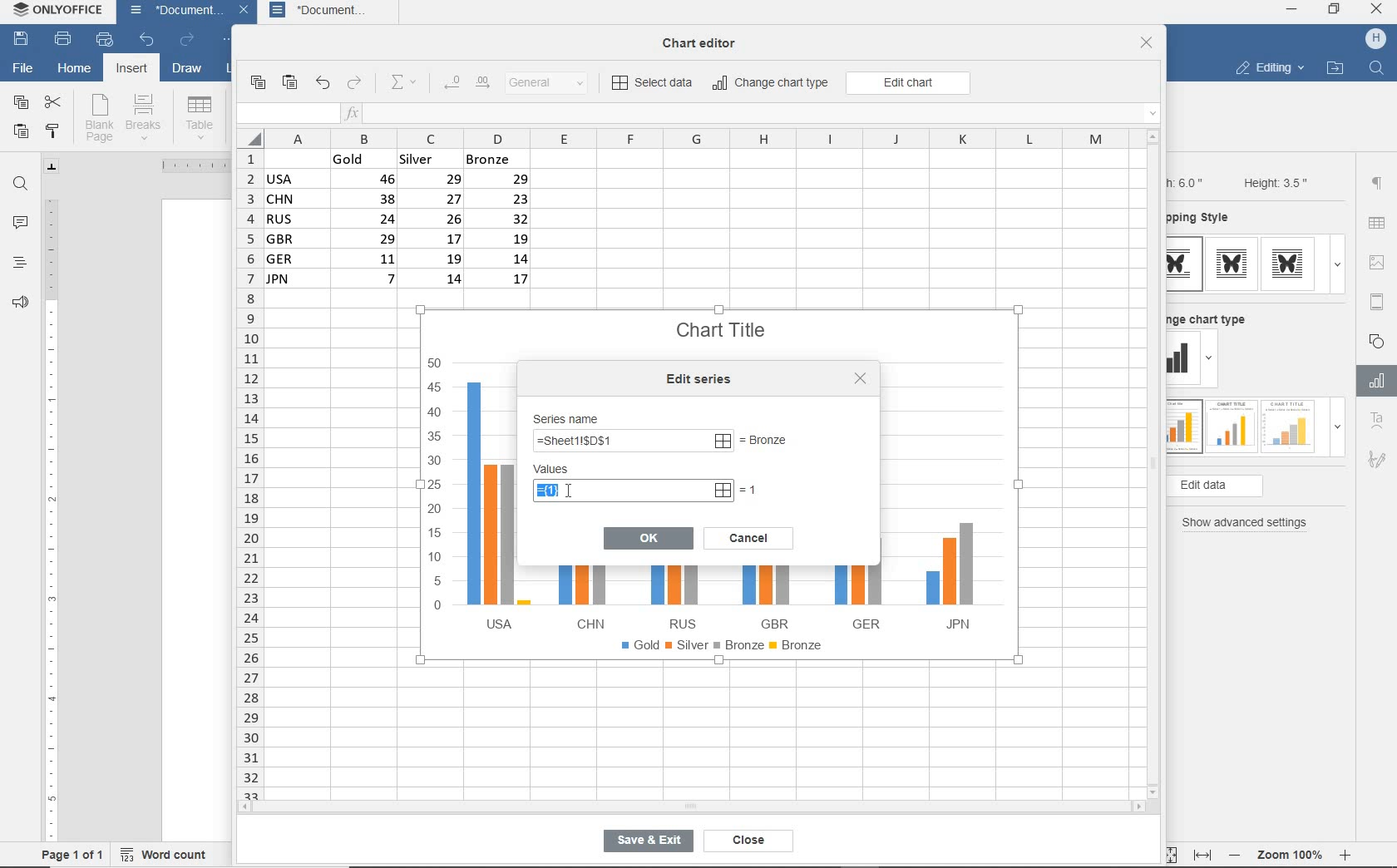 This screenshot has height=868, width=1397. Describe the element at coordinates (1188, 181) in the screenshot. I see `Width: 6.0"` at that location.